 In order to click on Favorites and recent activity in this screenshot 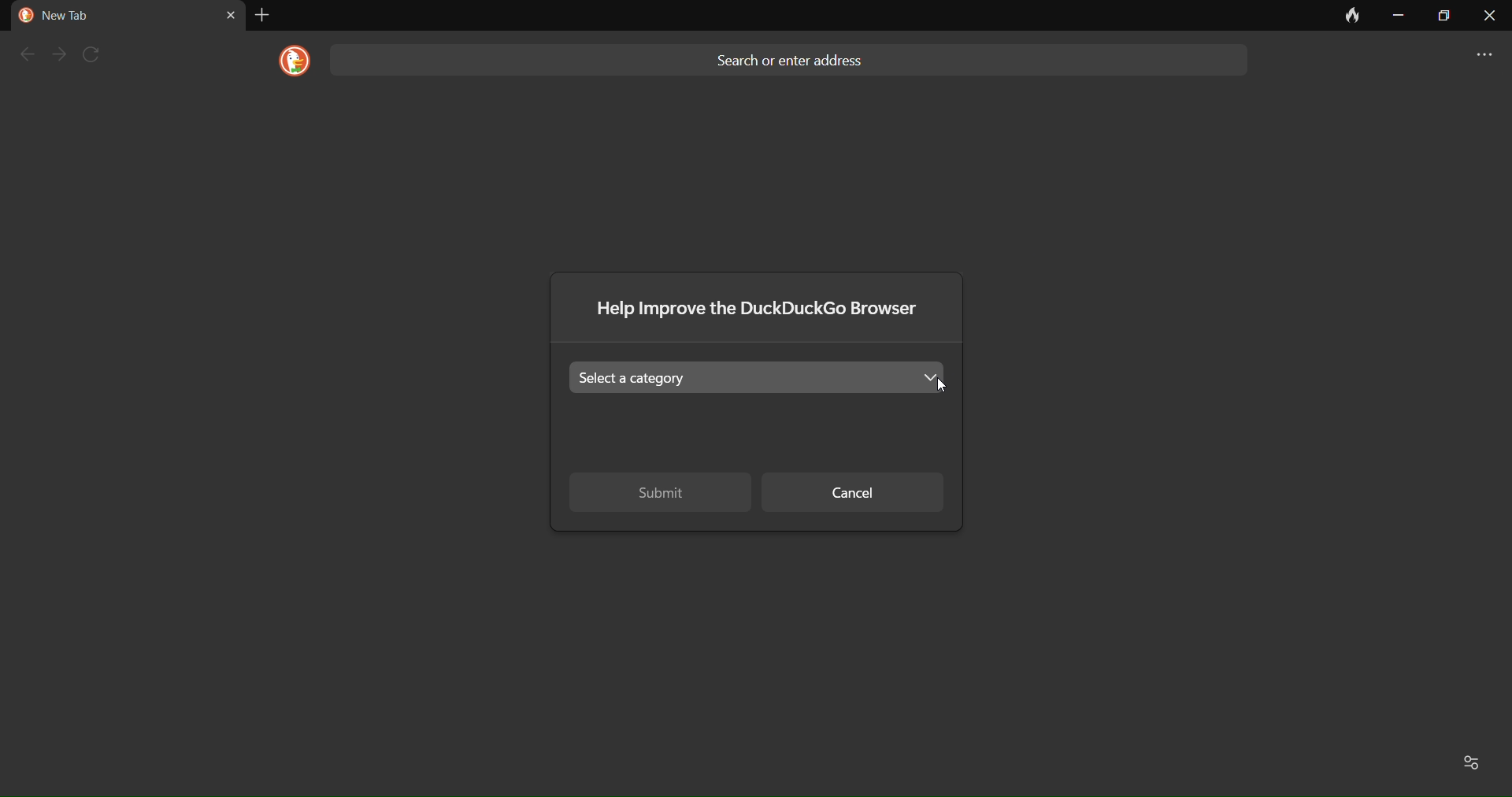, I will do `click(1474, 761)`.